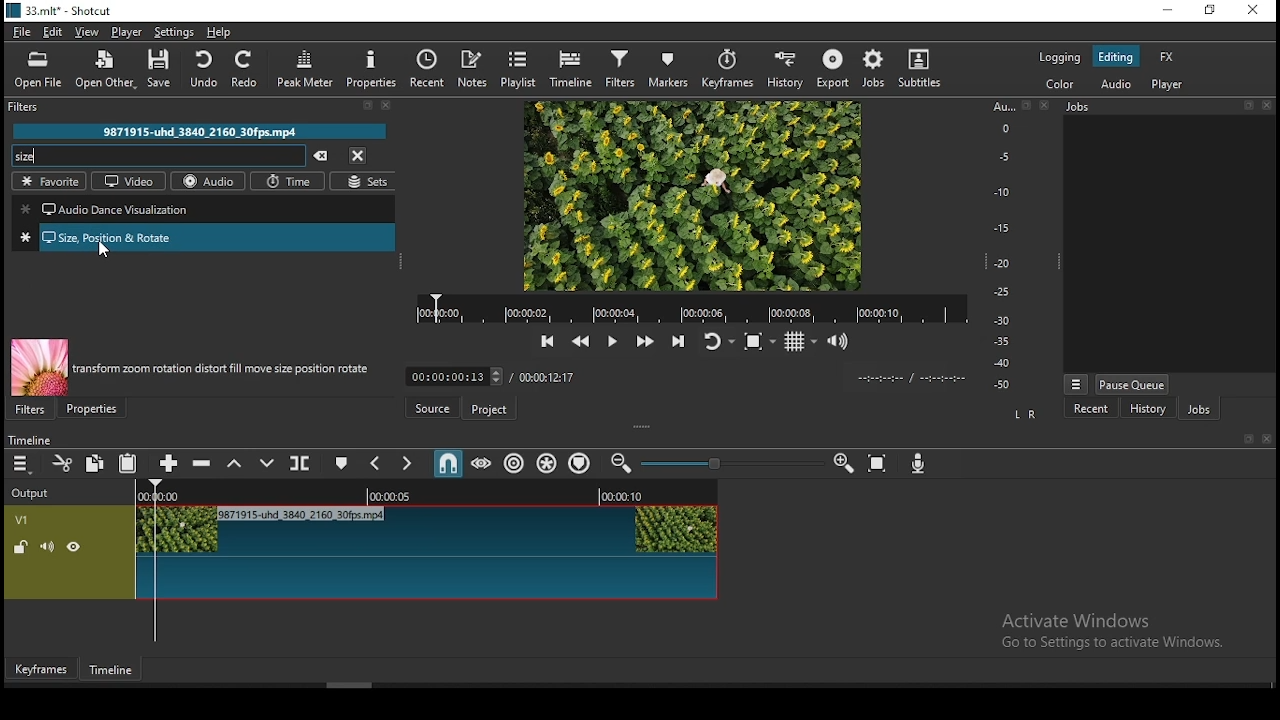  Describe the element at coordinates (1000, 291) in the screenshot. I see `-25` at that location.